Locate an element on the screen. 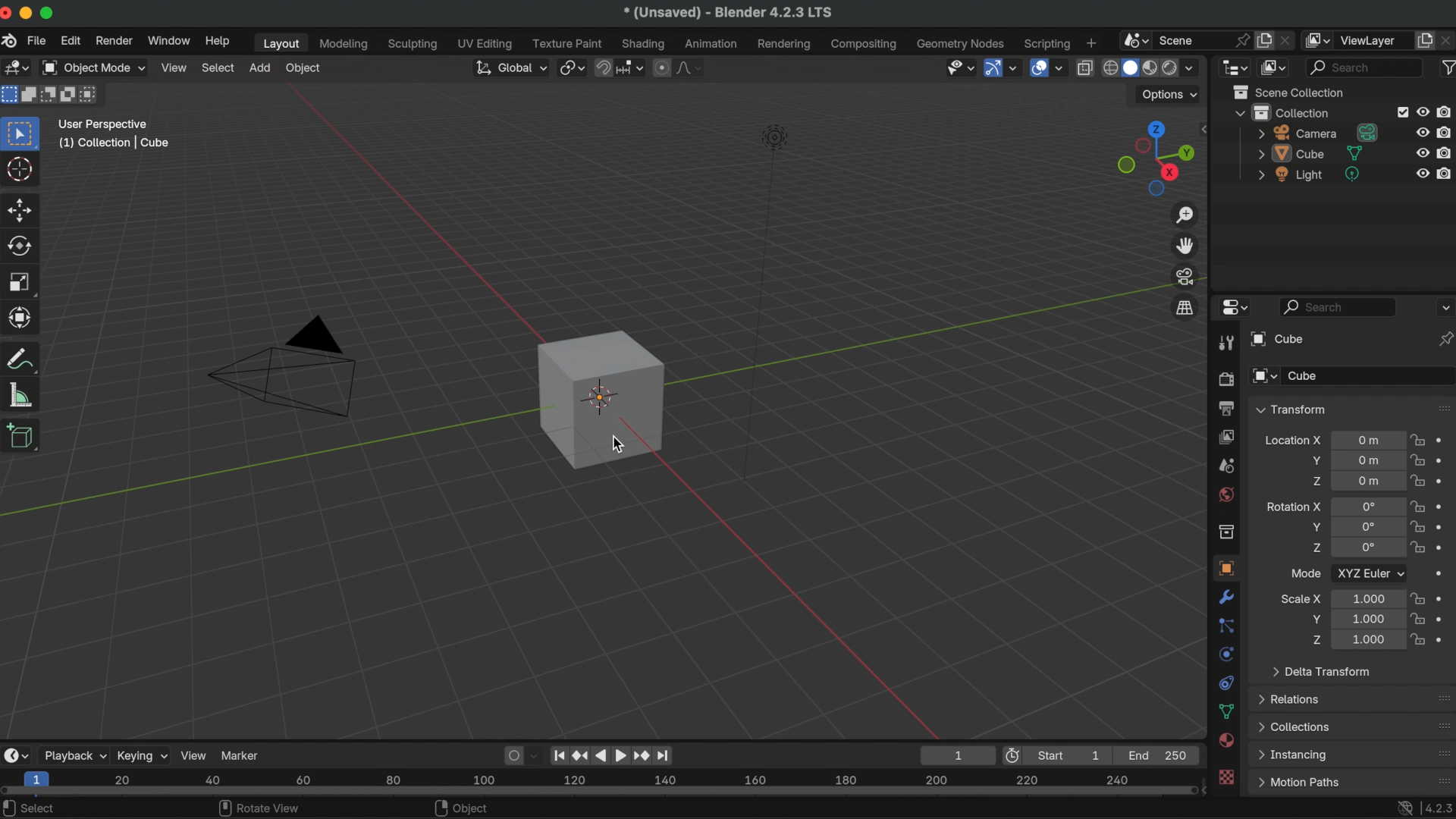  scene is located at coordinates (1184, 39).